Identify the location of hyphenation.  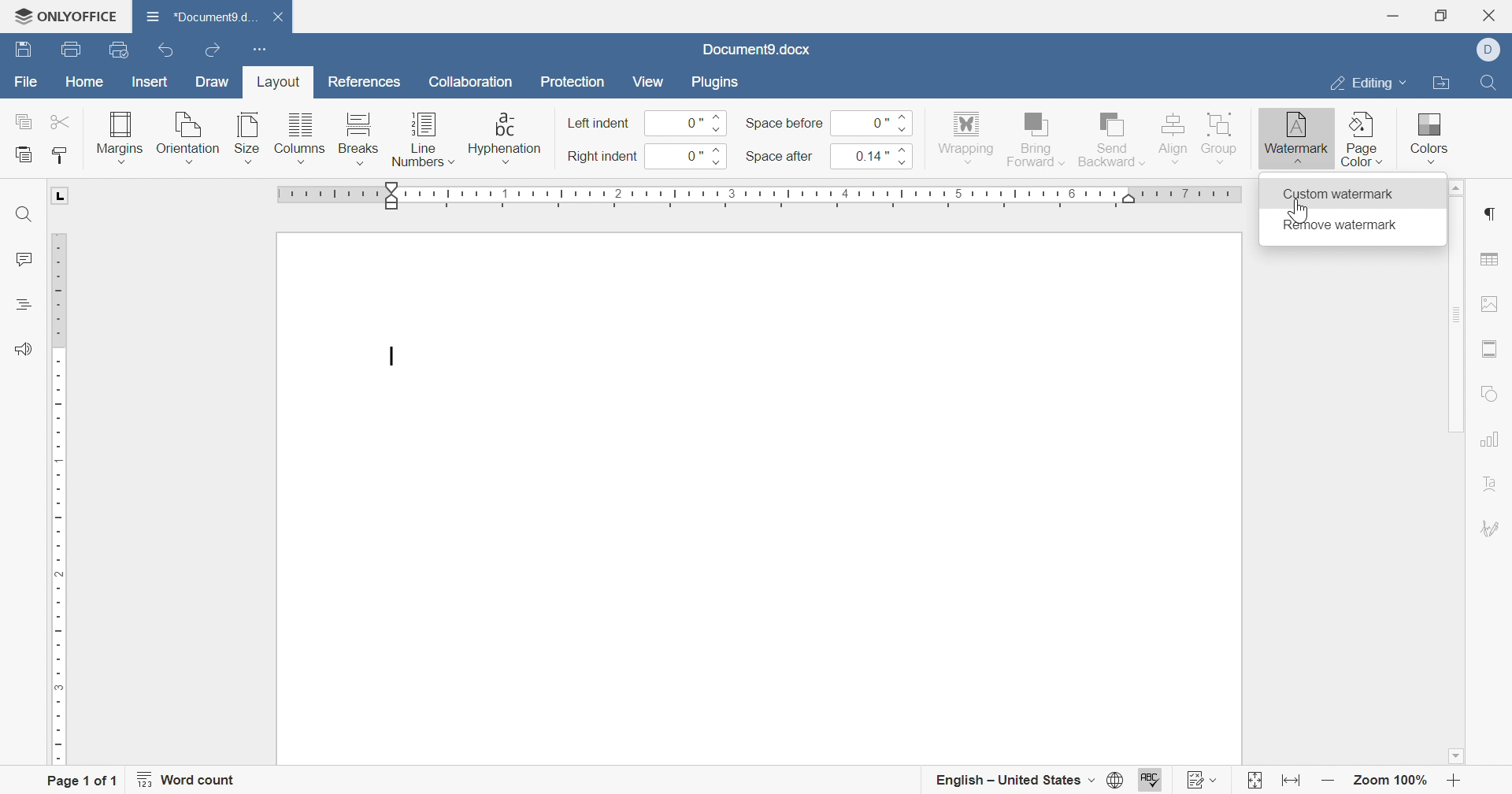
(504, 138).